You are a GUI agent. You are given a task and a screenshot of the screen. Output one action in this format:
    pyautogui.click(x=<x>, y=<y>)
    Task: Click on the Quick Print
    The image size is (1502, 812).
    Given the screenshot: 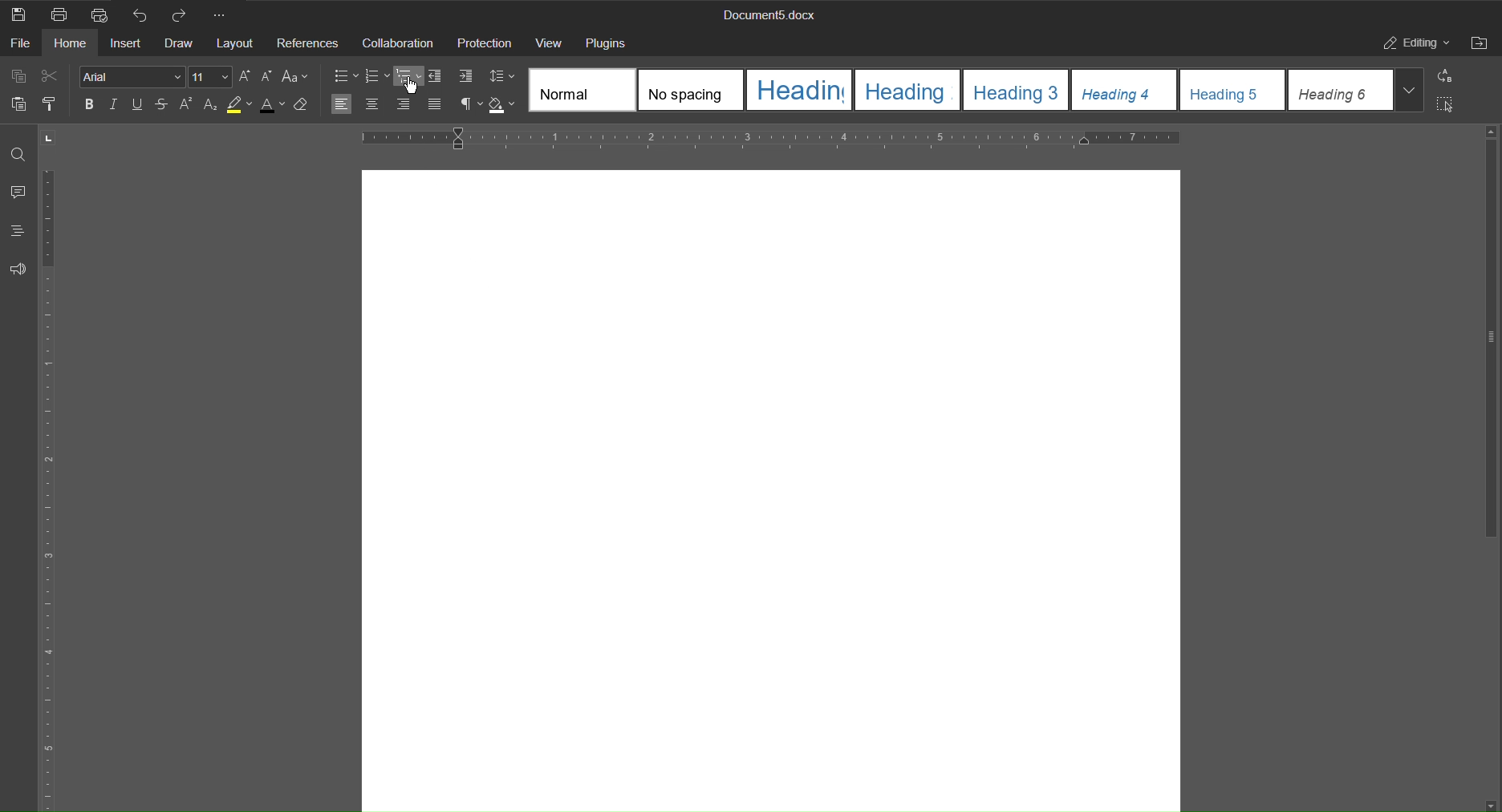 What is the action you would take?
    pyautogui.click(x=104, y=14)
    